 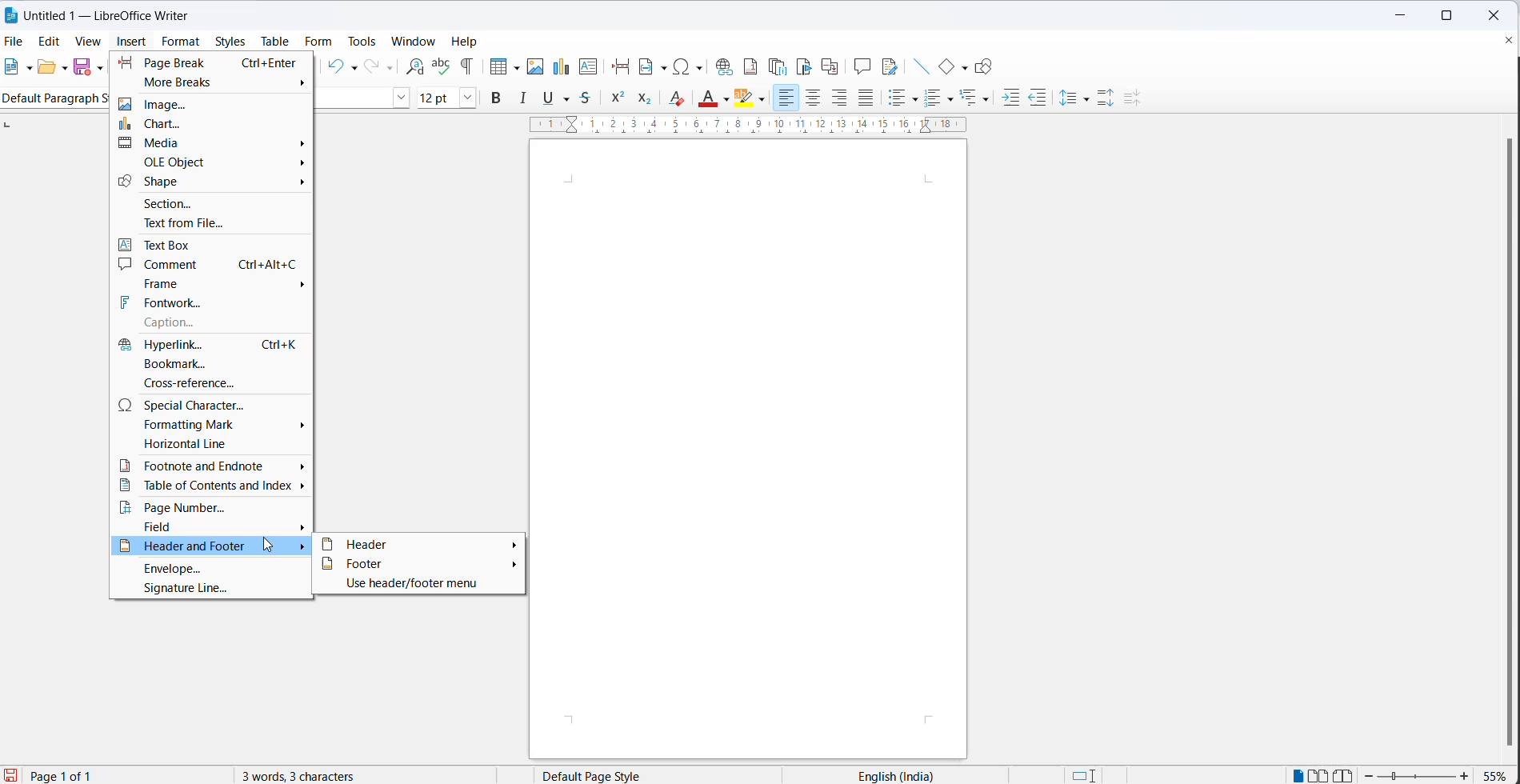 What do you see at coordinates (100, 68) in the screenshot?
I see `save as` at bounding box center [100, 68].